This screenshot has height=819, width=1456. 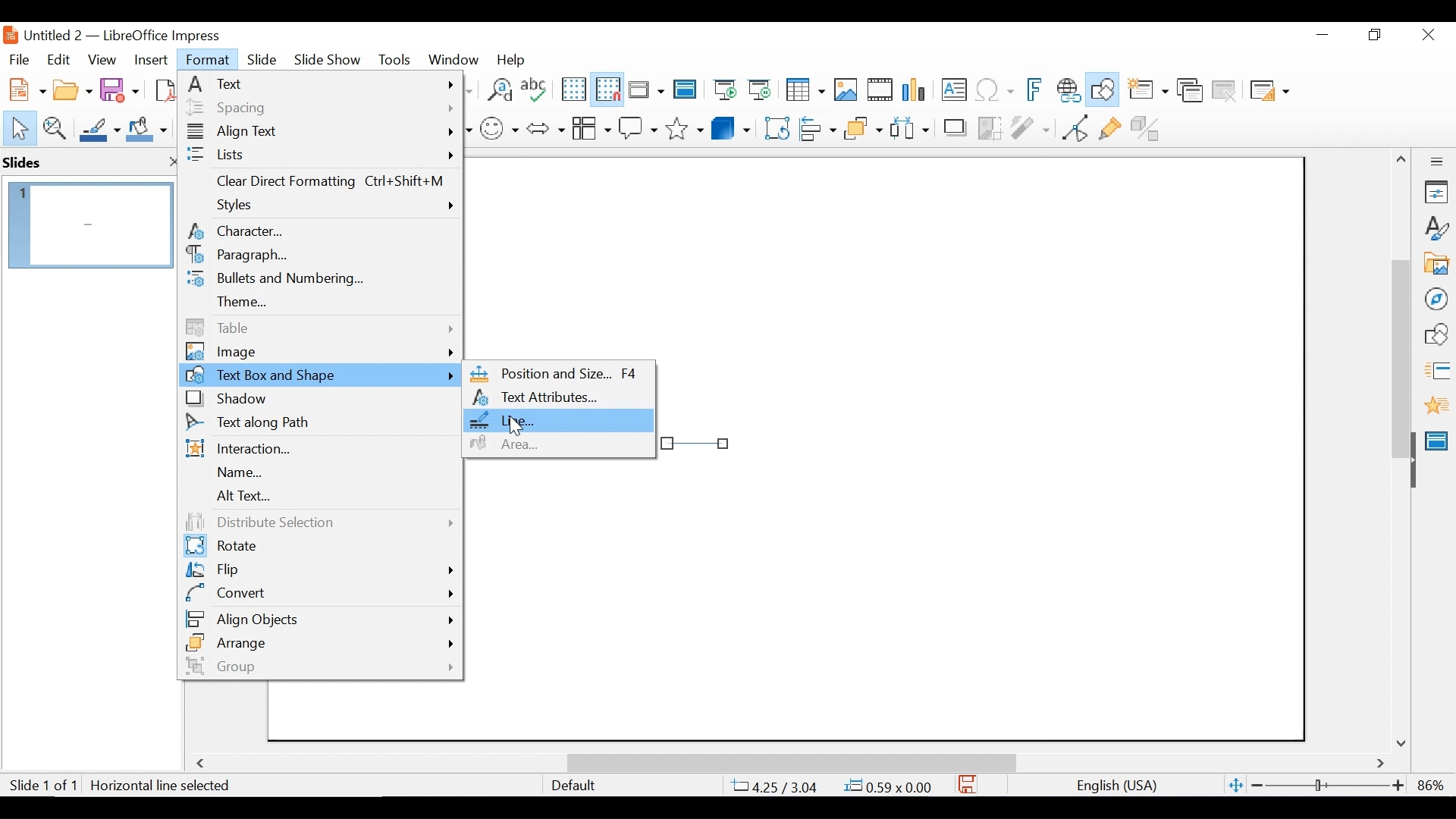 I want to click on Clear Direct Formatting, so click(x=320, y=184).